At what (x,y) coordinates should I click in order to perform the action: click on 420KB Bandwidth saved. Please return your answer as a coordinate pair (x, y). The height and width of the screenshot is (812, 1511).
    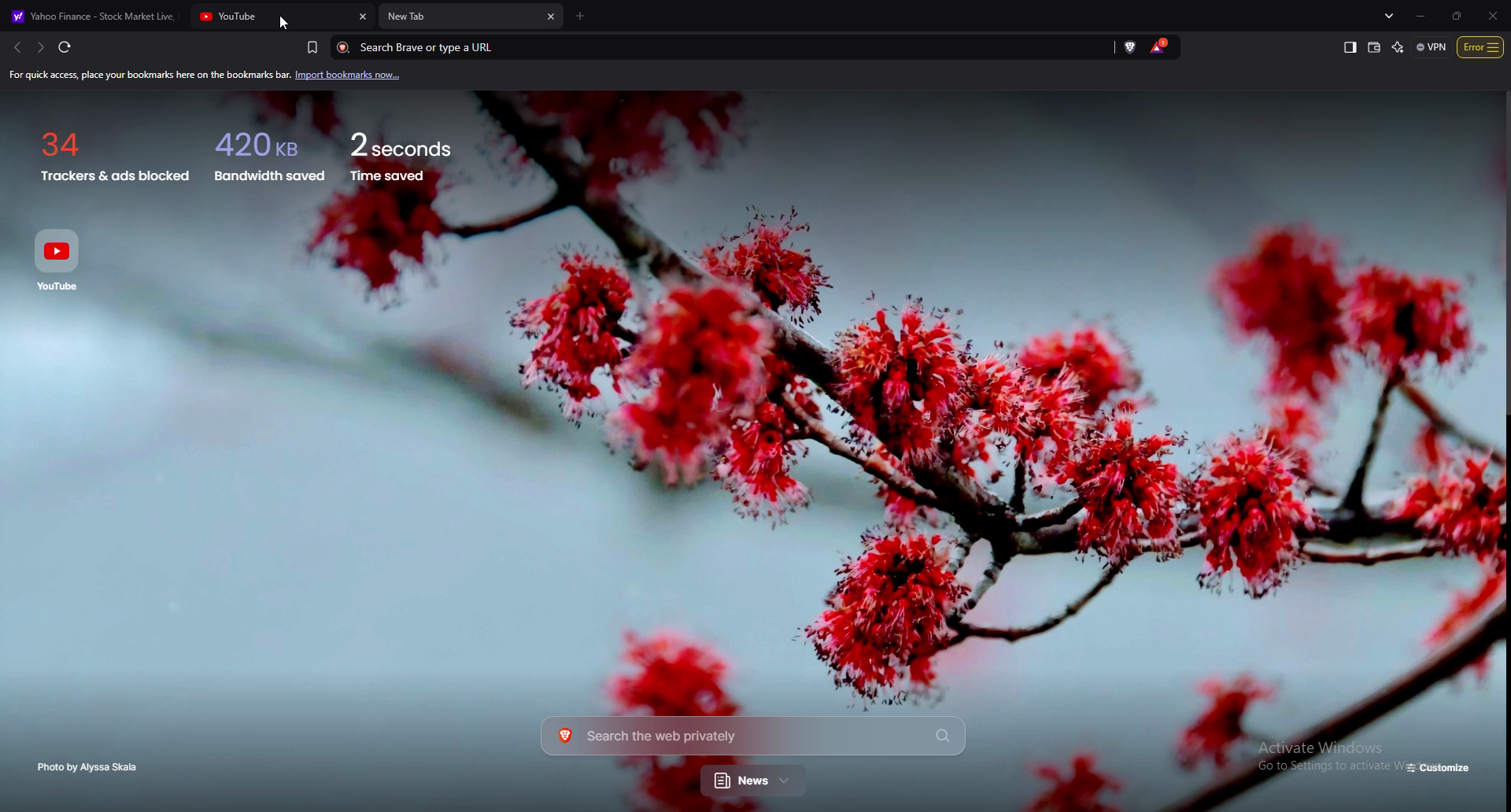
    Looking at the image, I should click on (267, 152).